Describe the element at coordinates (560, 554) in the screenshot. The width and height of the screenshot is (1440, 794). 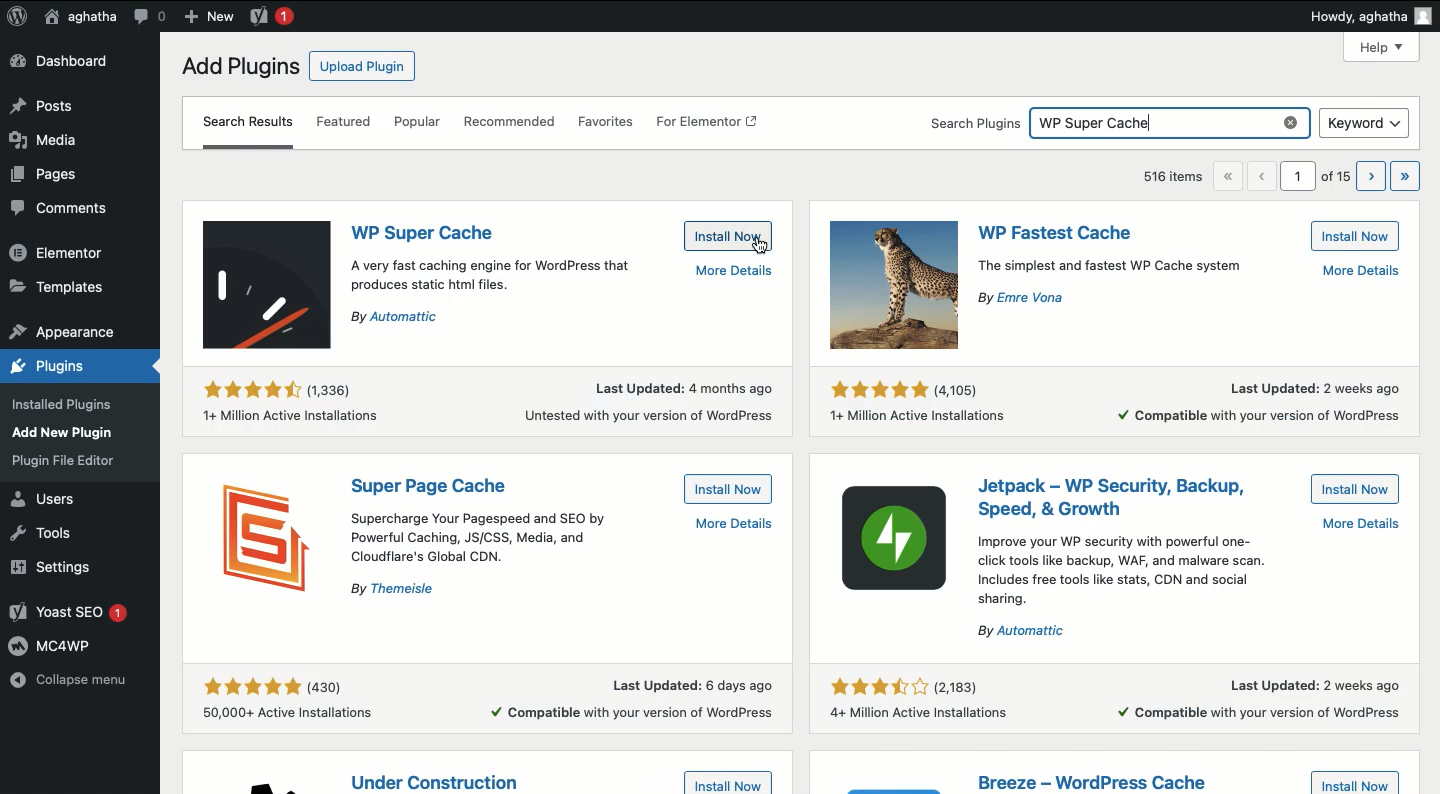
I see `supercharge your pagespeed and SEO by Powerful caching JS?CSS ,media and cloudlare global lane.` at that location.